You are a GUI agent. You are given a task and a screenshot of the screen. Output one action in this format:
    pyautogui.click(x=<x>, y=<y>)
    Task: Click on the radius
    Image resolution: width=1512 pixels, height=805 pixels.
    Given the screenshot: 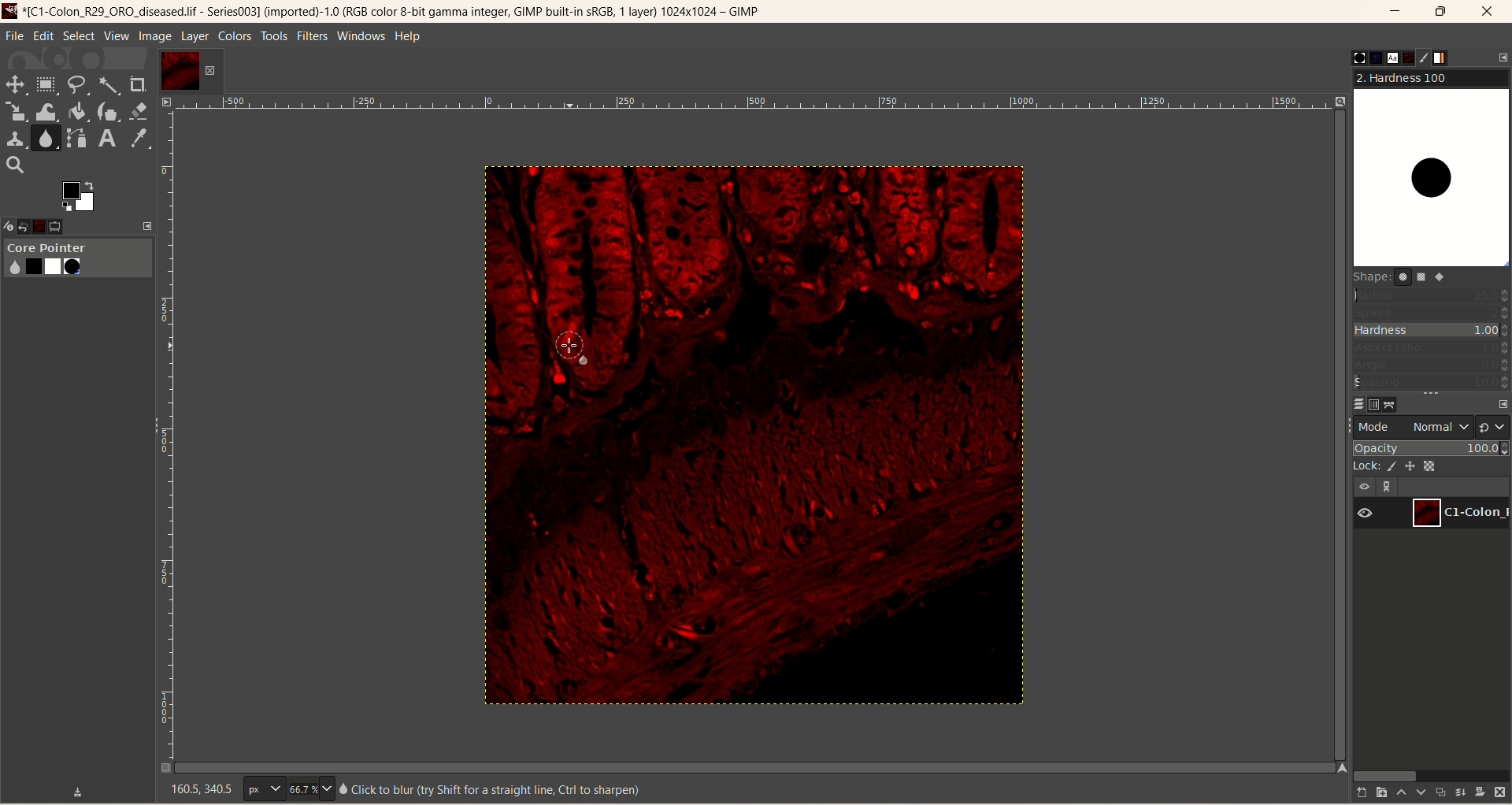 What is the action you would take?
    pyautogui.click(x=1432, y=295)
    